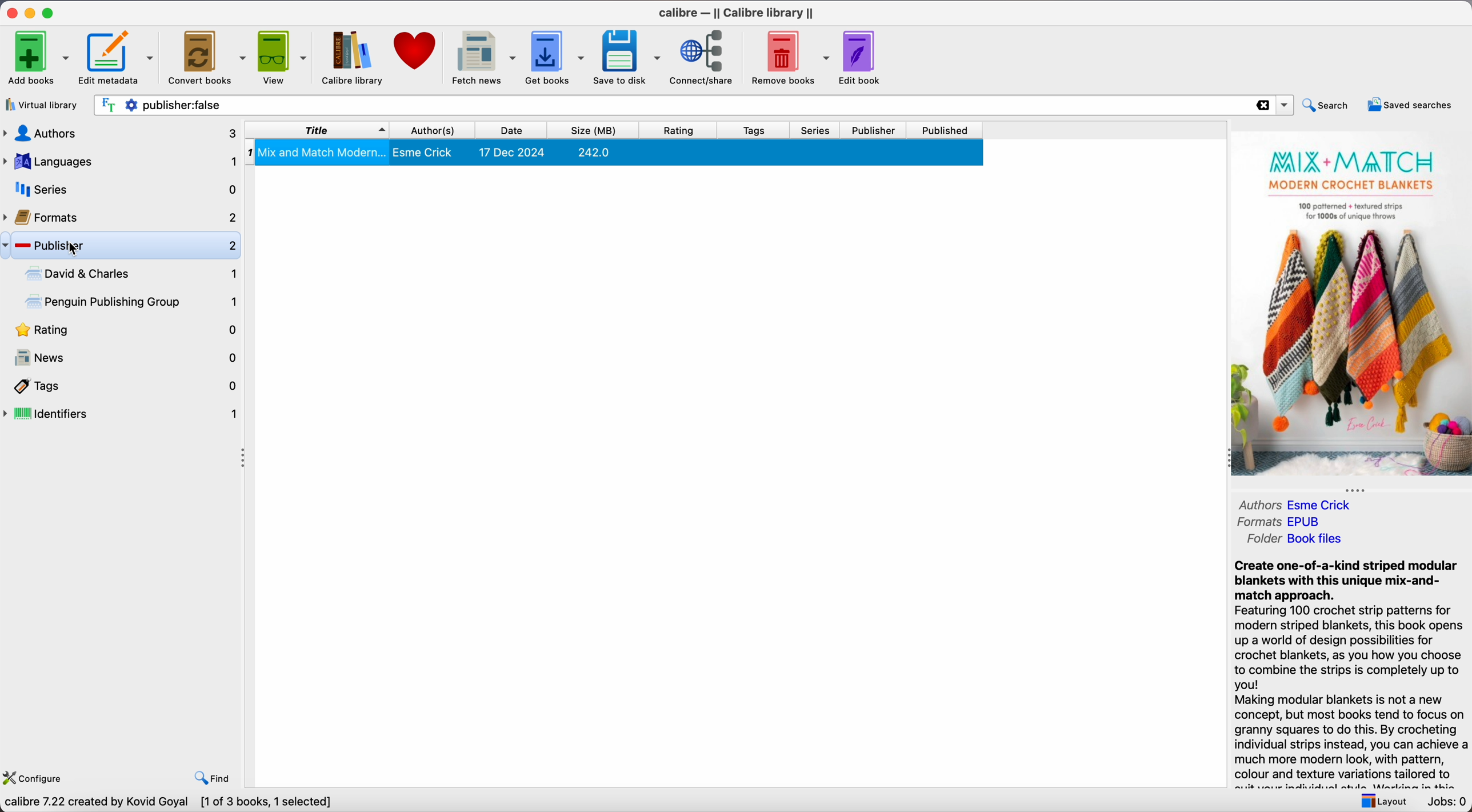 The height and width of the screenshot is (812, 1472). I want to click on minimize, so click(30, 13).